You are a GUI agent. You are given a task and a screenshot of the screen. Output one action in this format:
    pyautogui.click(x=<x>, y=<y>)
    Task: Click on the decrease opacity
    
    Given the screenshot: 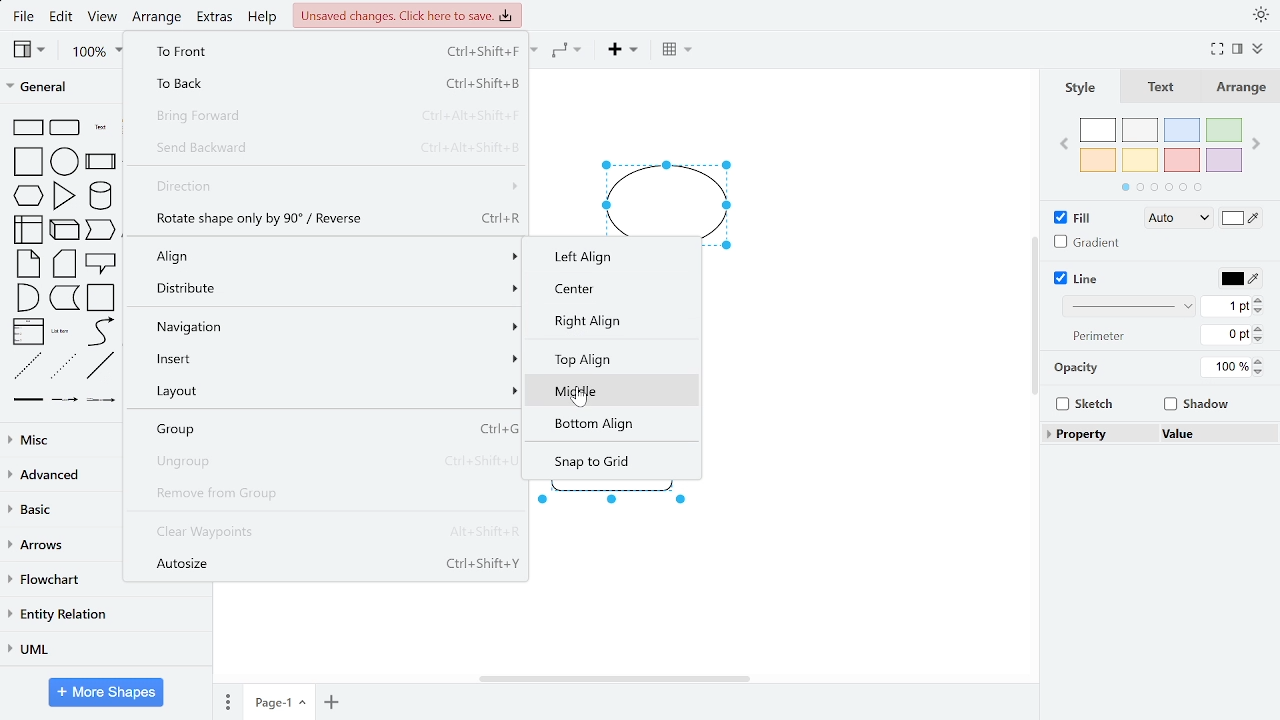 What is the action you would take?
    pyautogui.click(x=1259, y=372)
    